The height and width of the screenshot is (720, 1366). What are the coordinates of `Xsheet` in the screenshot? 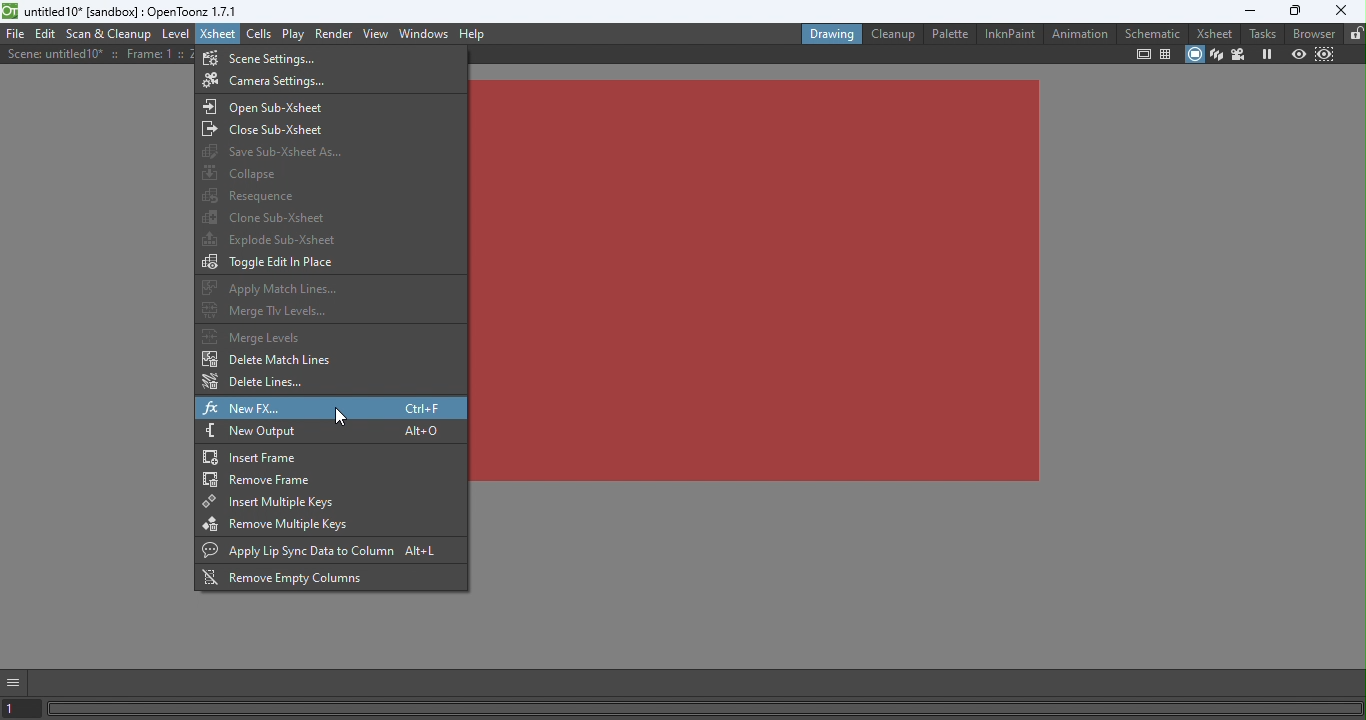 It's located at (219, 33).